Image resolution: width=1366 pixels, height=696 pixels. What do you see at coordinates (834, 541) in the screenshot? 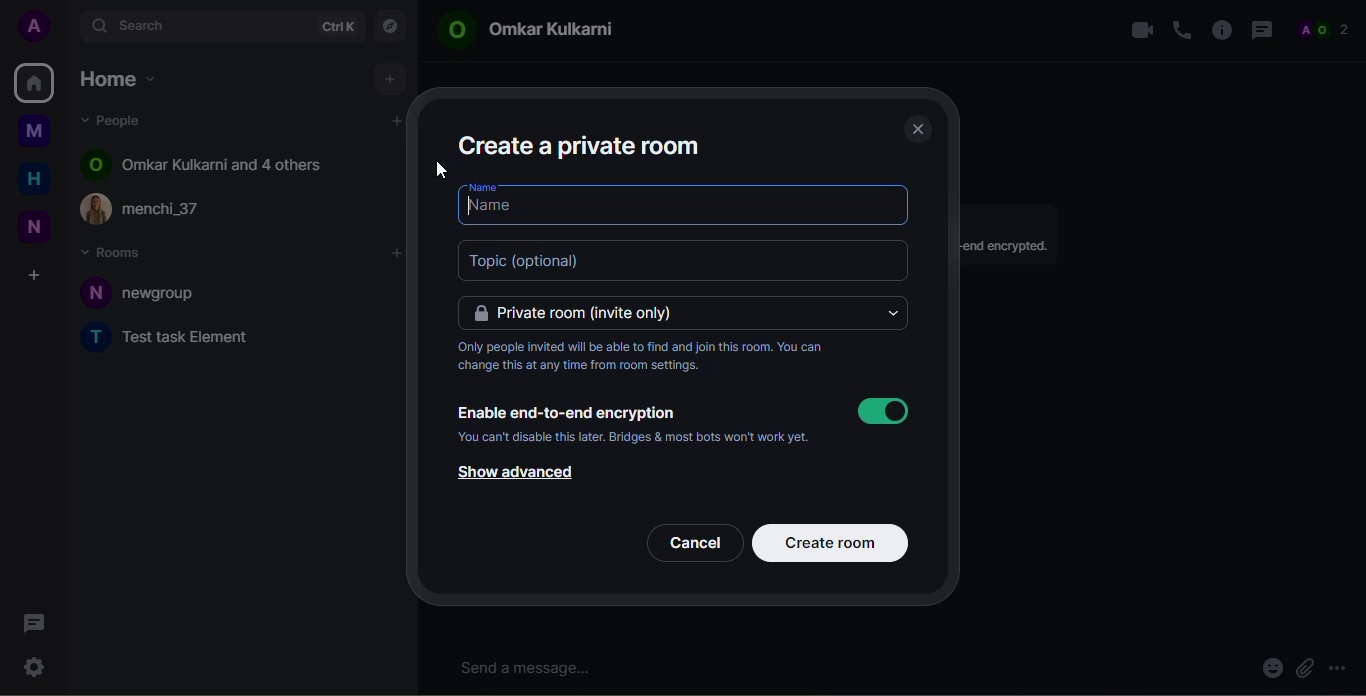
I see `create room` at bounding box center [834, 541].